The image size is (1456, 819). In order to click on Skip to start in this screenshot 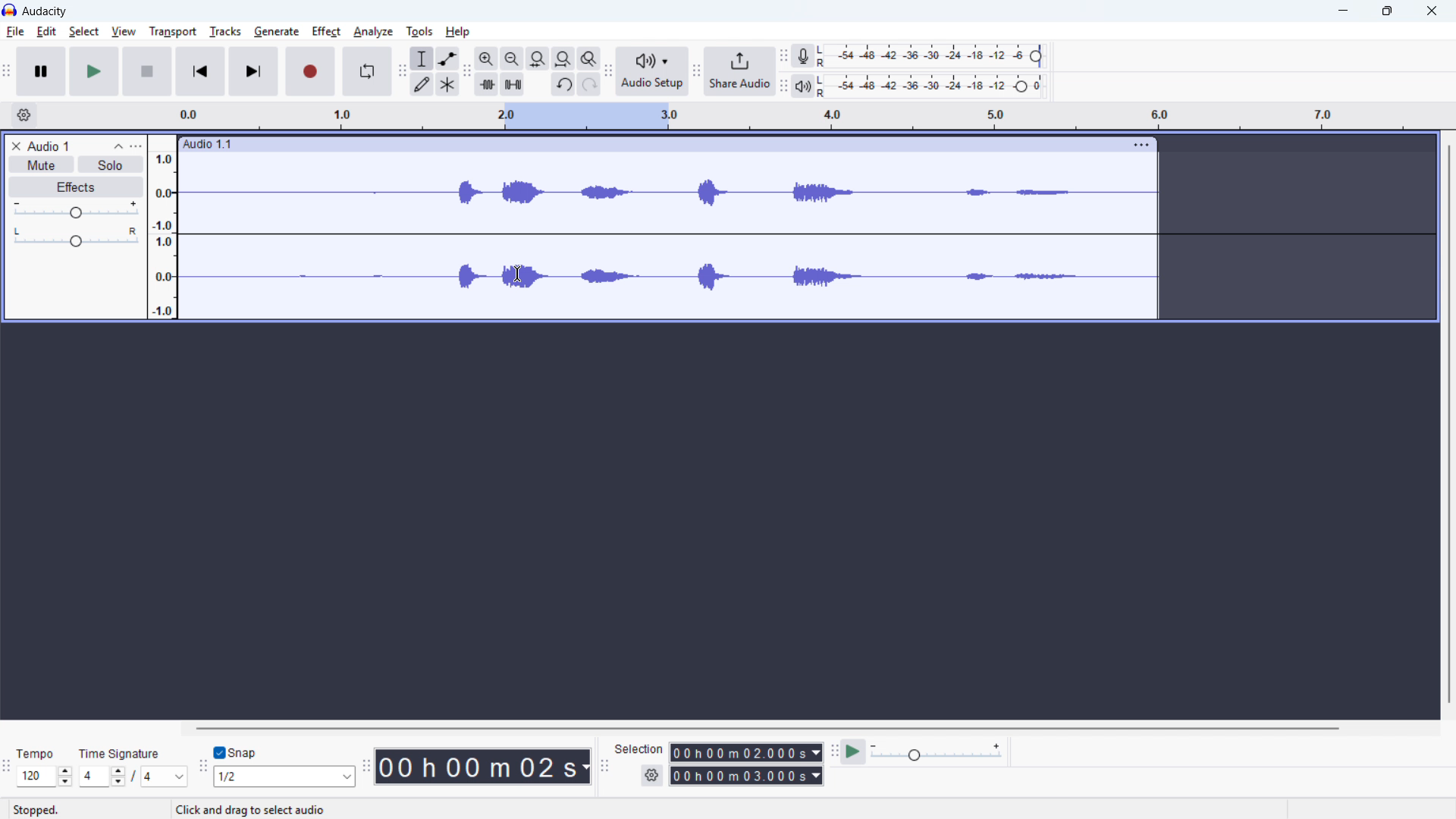, I will do `click(200, 72)`.